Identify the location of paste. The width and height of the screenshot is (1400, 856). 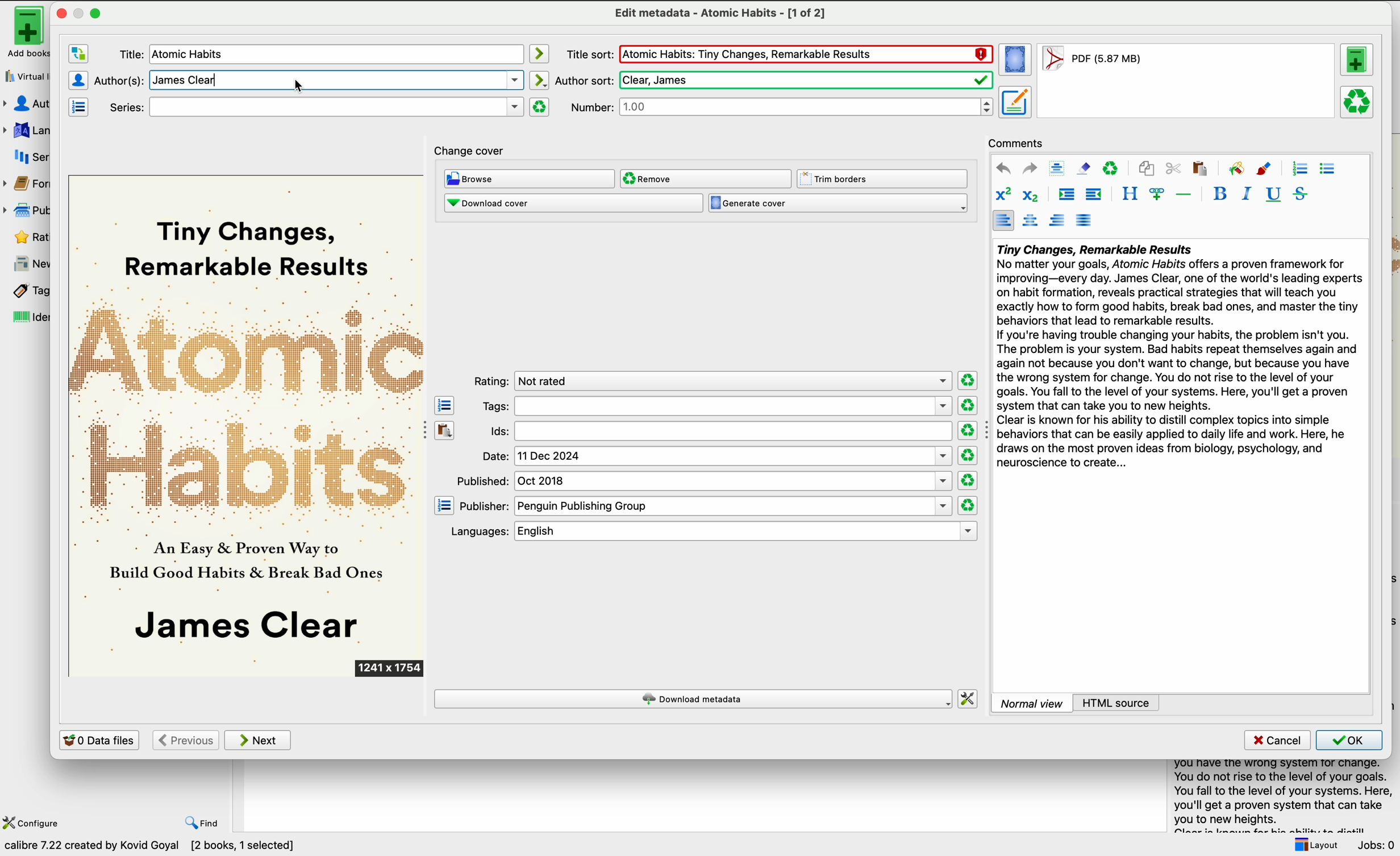
(1199, 168).